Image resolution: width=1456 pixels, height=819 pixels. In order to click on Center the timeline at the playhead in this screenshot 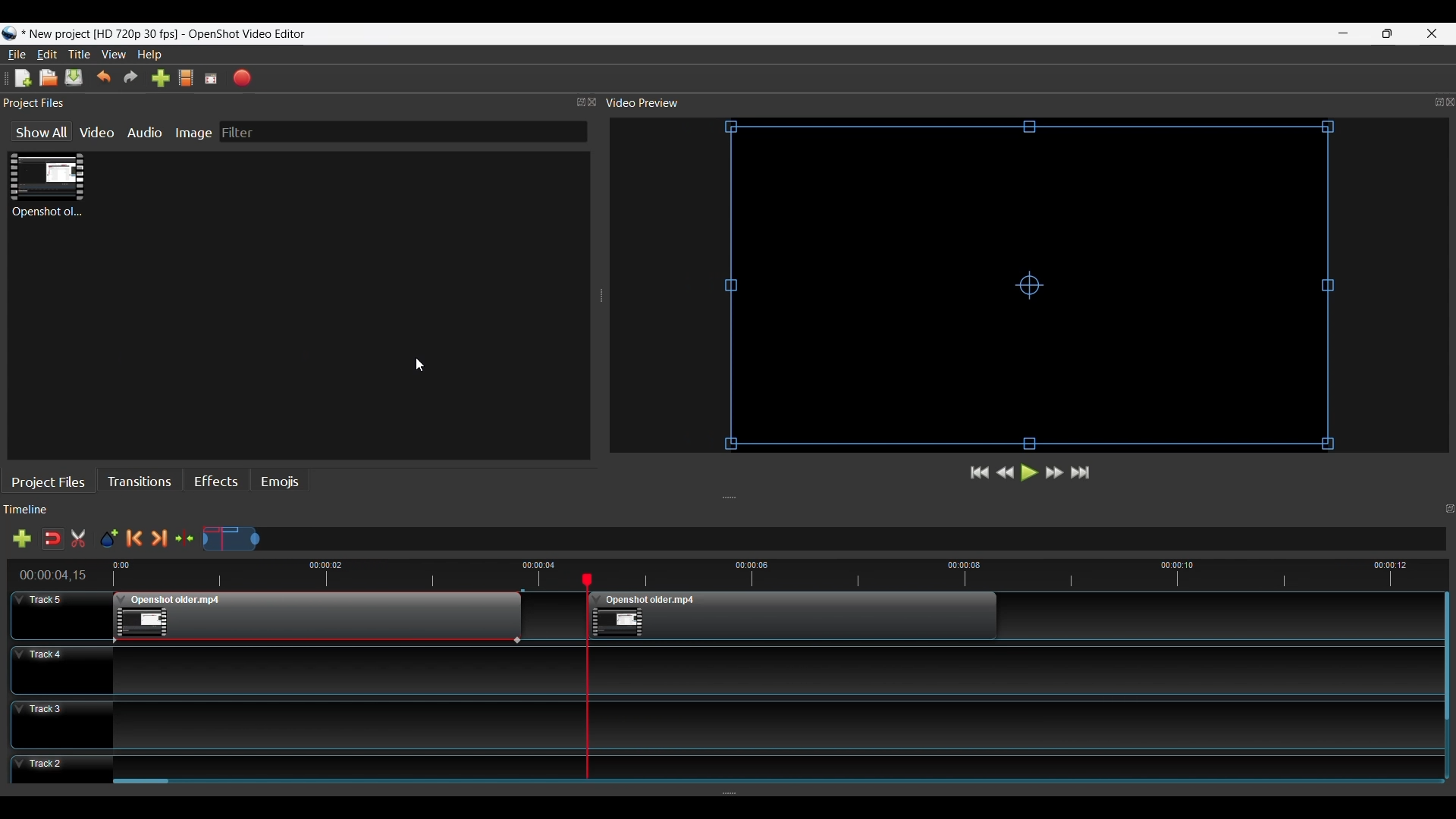, I will do `click(188, 539)`.